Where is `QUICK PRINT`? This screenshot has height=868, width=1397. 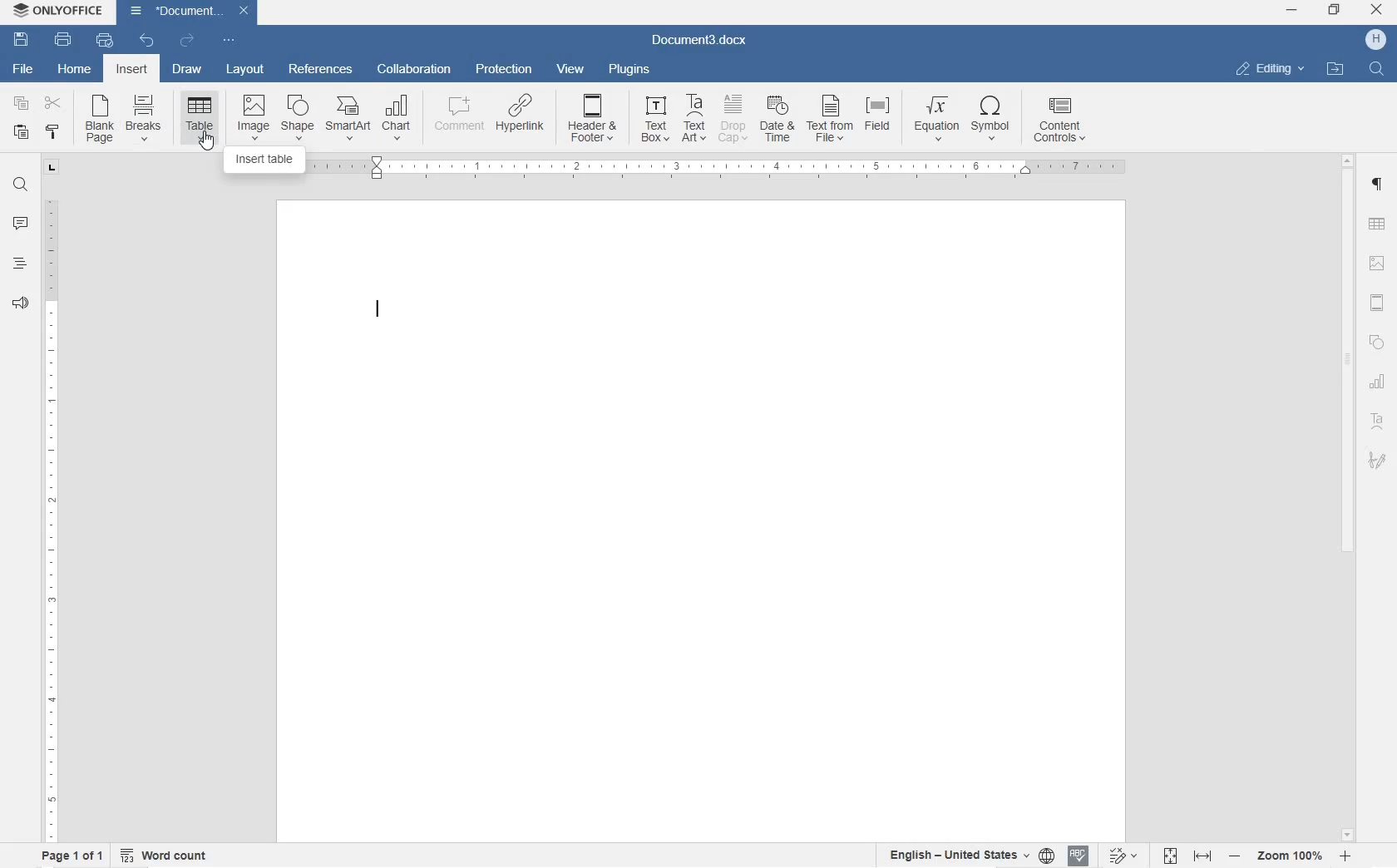 QUICK PRINT is located at coordinates (103, 42).